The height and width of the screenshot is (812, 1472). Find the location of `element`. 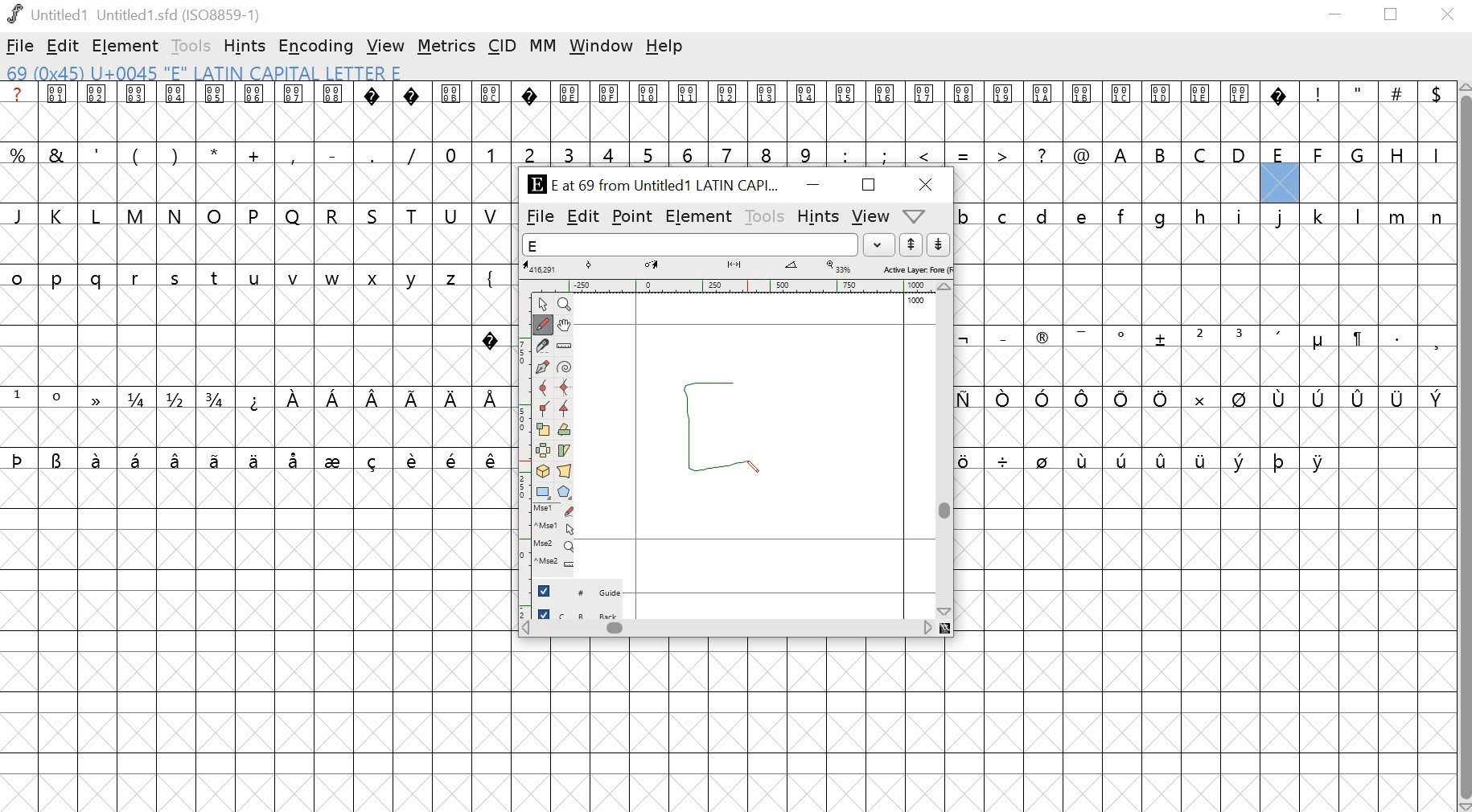

element is located at coordinates (122, 45).